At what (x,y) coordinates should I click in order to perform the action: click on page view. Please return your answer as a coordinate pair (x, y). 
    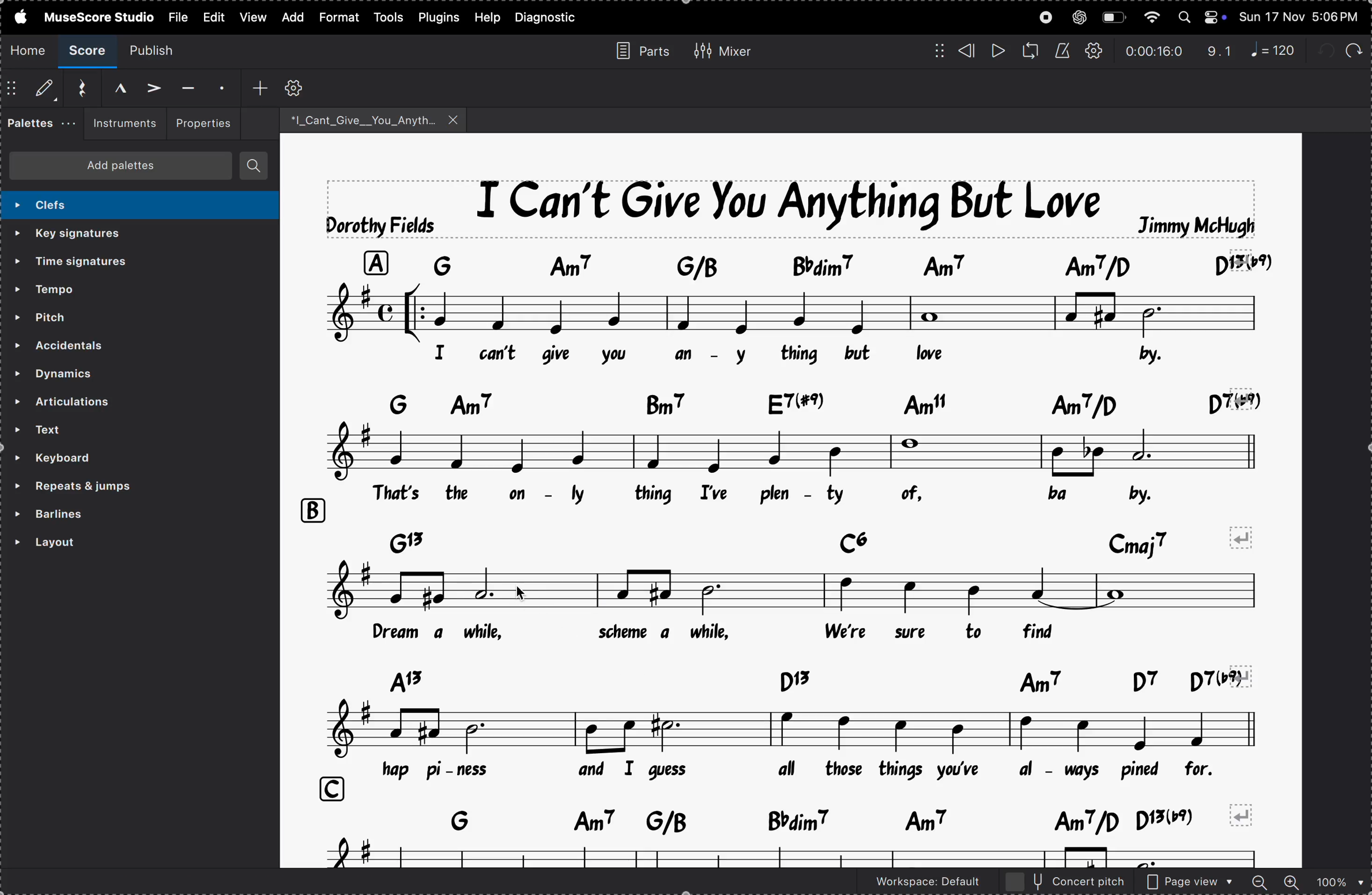
    Looking at the image, I should click on (1190, 882).